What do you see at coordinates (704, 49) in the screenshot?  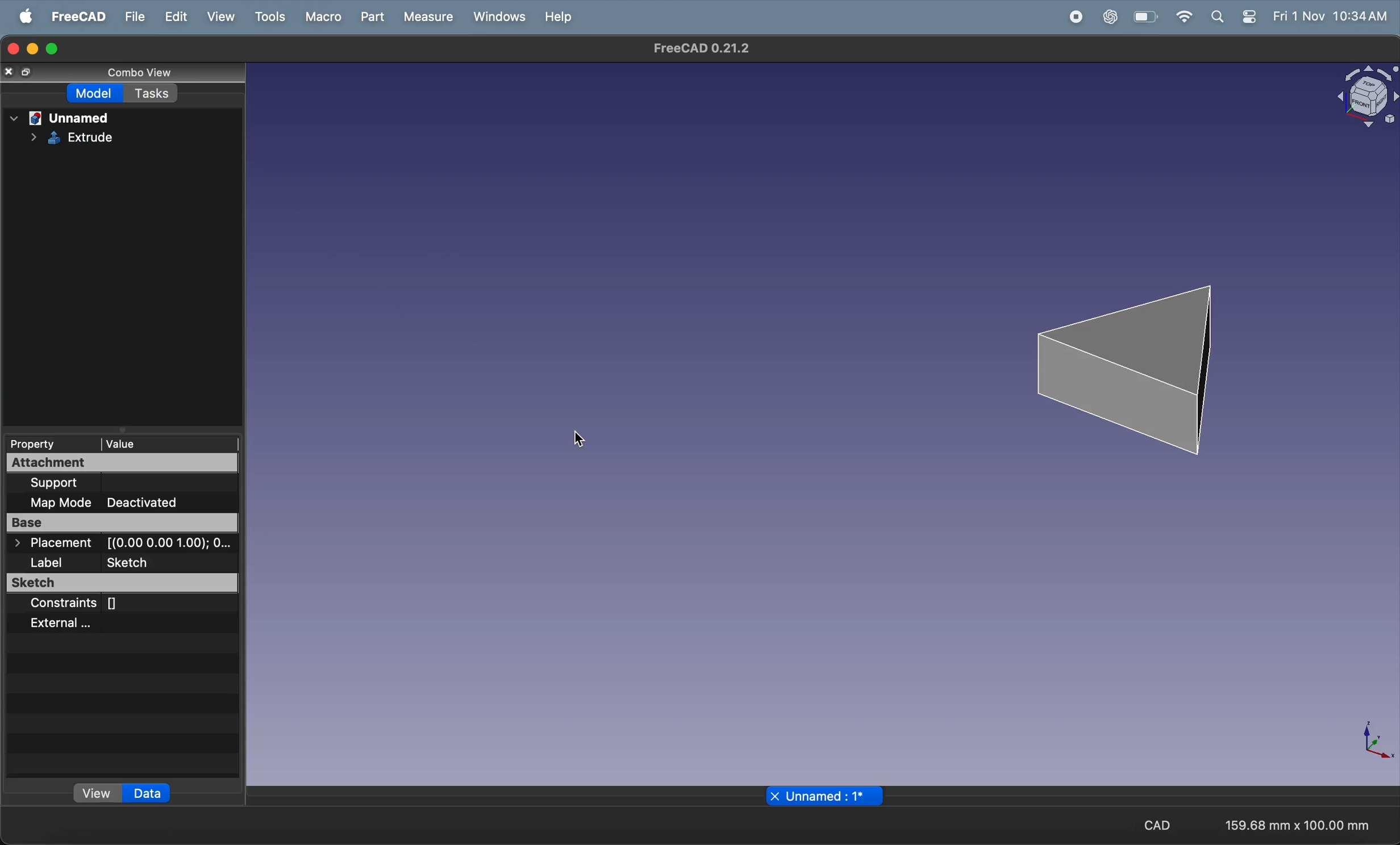 I see `FreeCad 0.21.2` at bounding box center [704, 49].